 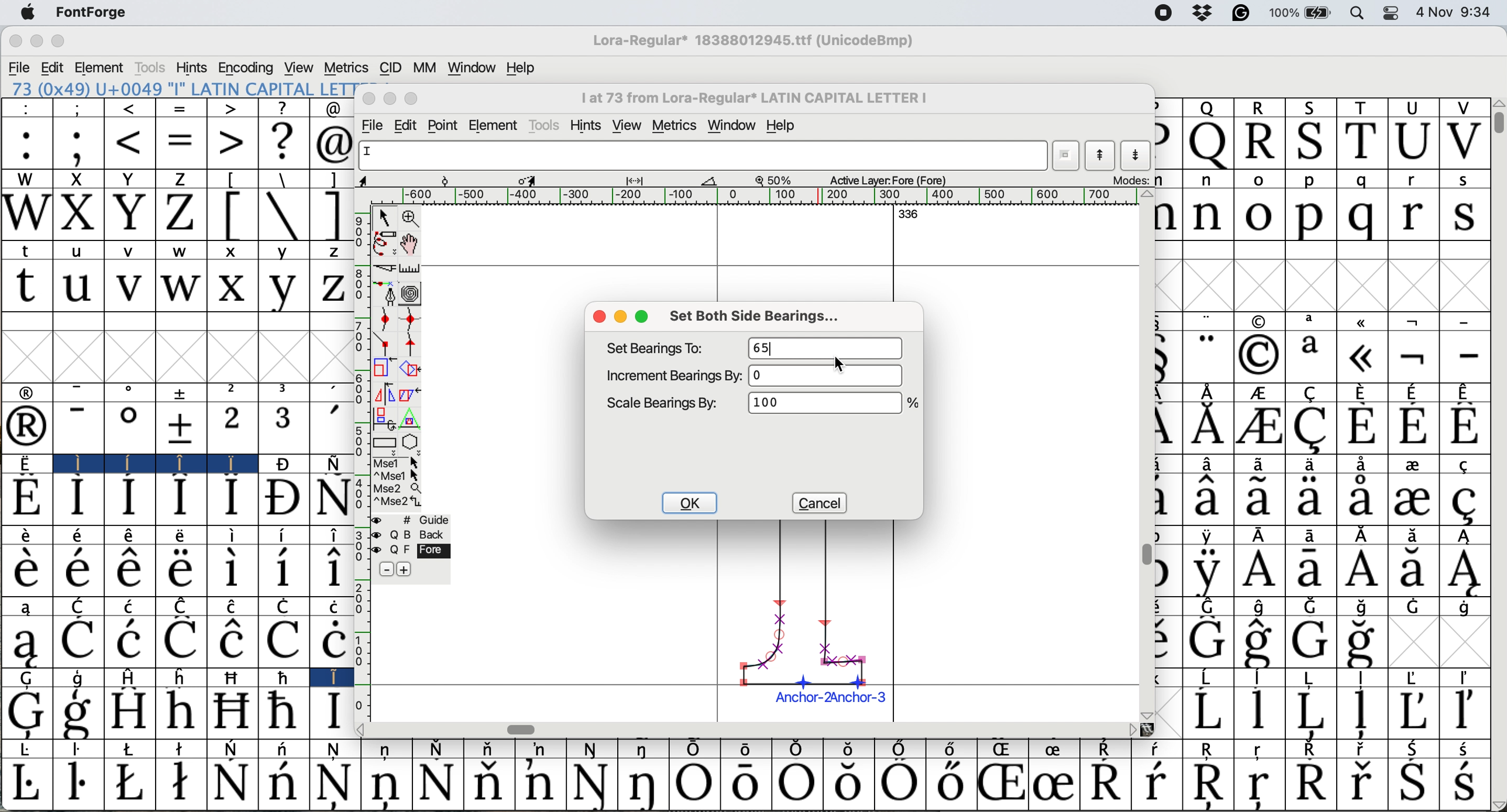 I want to click on Symbol, so click(x=1466, y=536).